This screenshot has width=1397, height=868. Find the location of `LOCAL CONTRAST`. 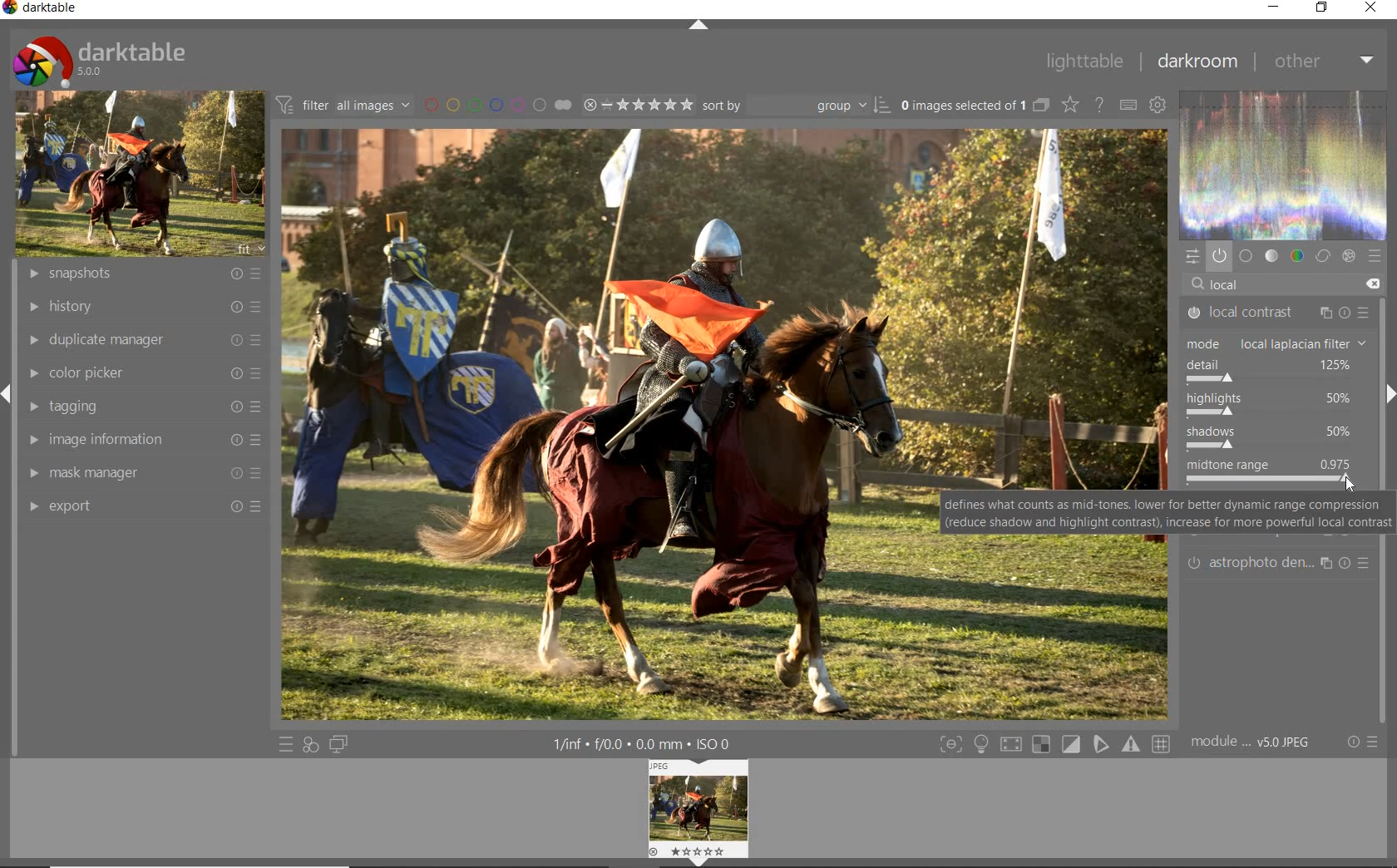

LOCAL CONTRAST is located at coordinates (1276, 313).